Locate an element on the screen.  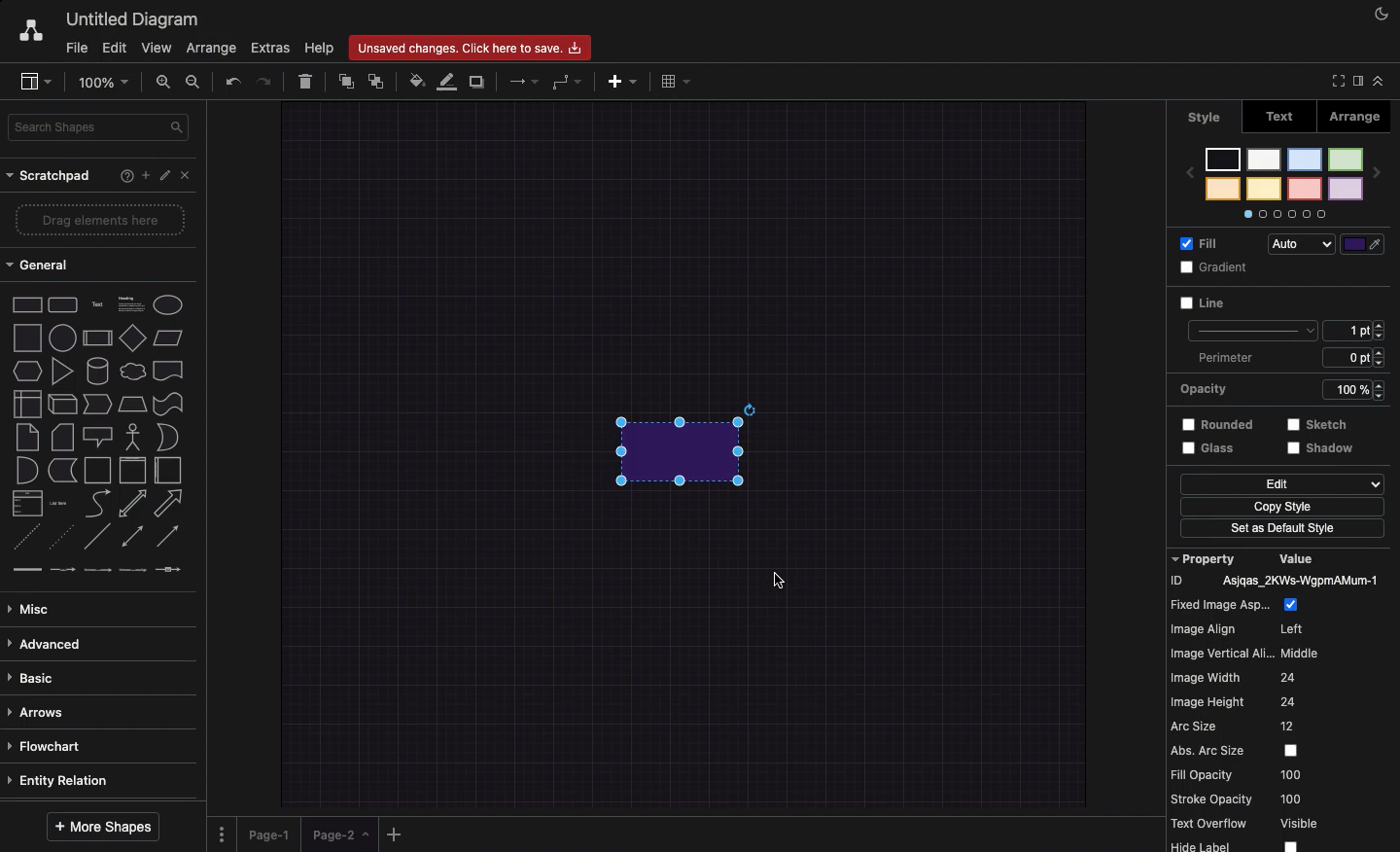
step is located at coordinates (95, 403).